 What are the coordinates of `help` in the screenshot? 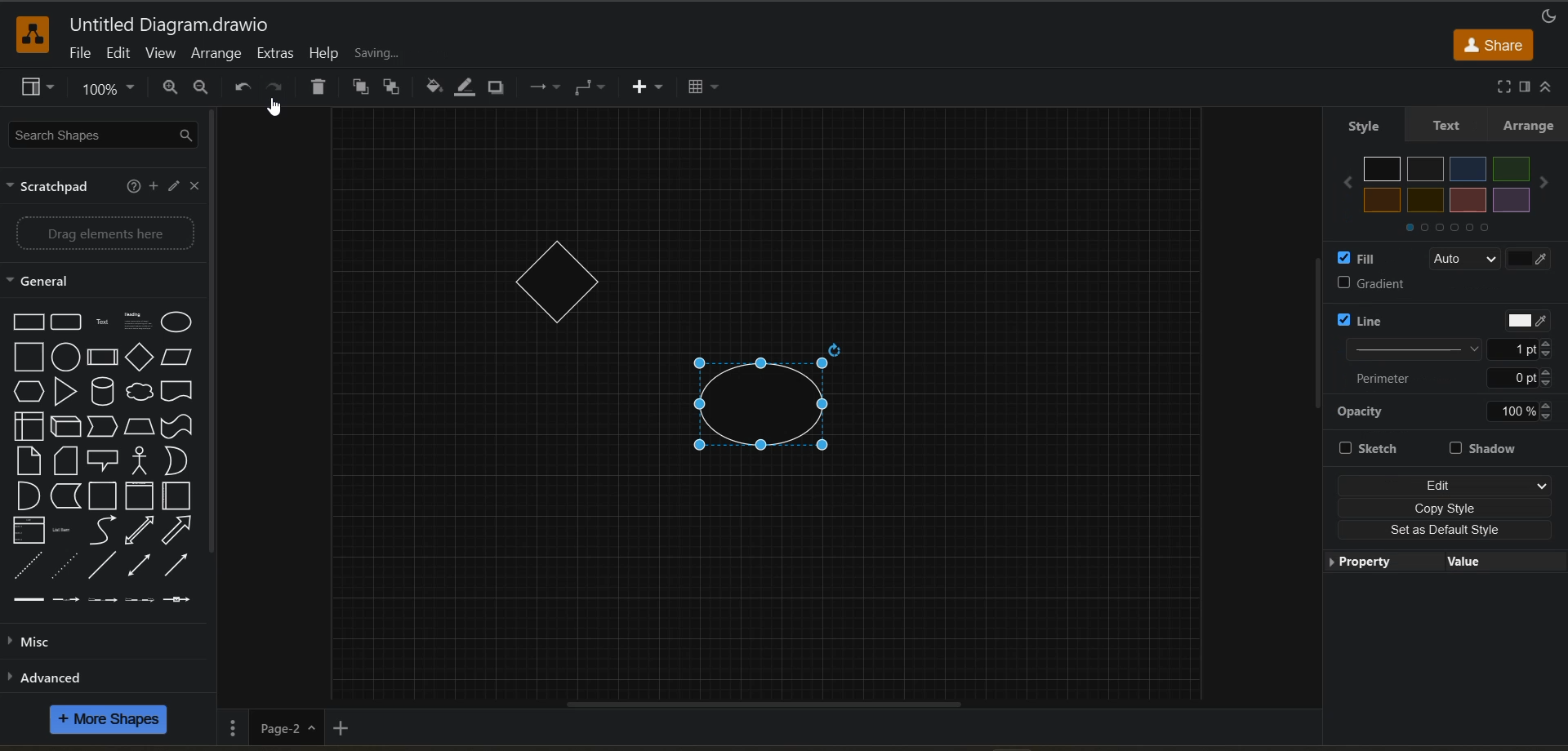 It's located at (135, 187).